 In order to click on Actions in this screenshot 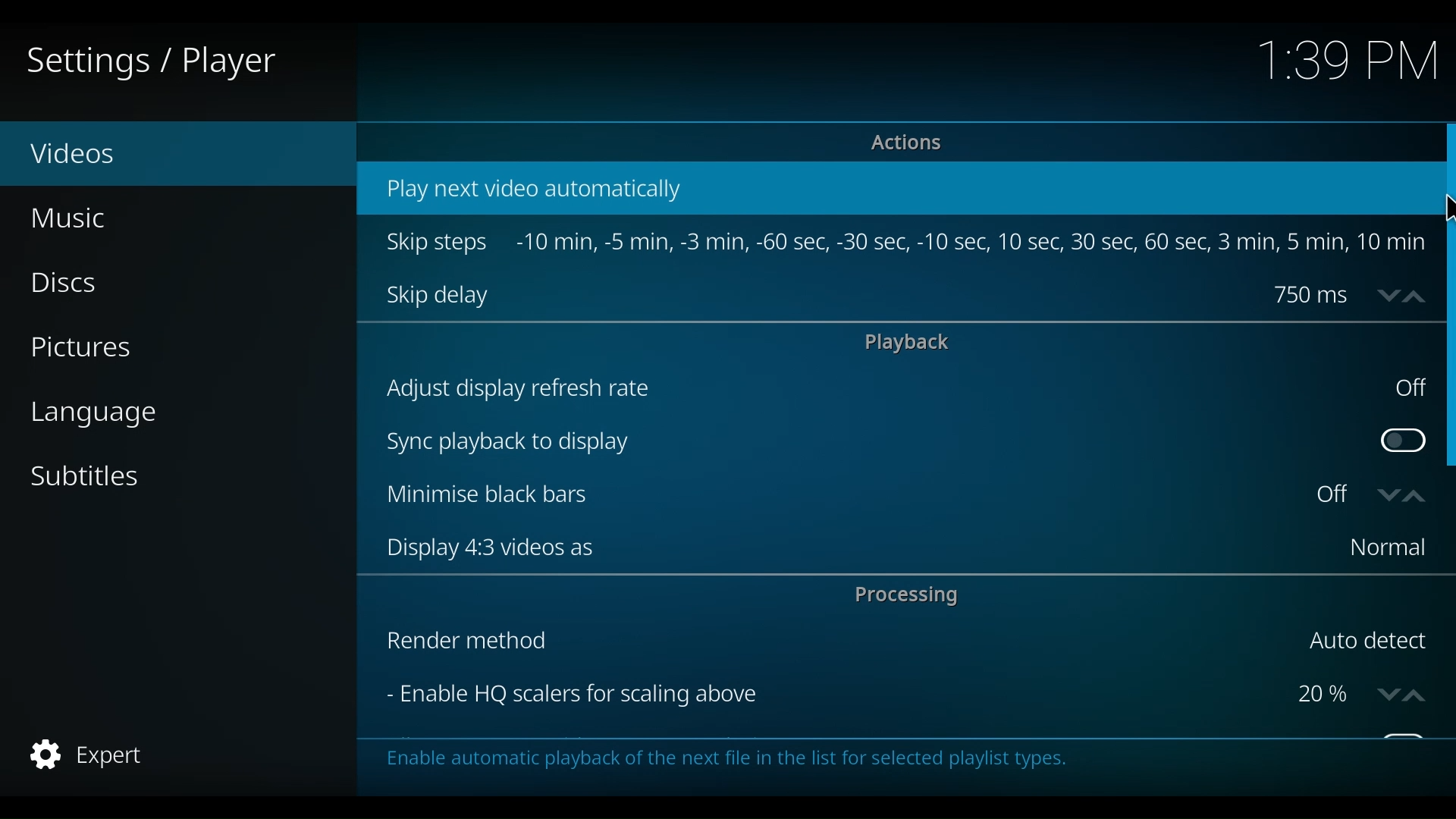, I will do `click(906, 143)`.